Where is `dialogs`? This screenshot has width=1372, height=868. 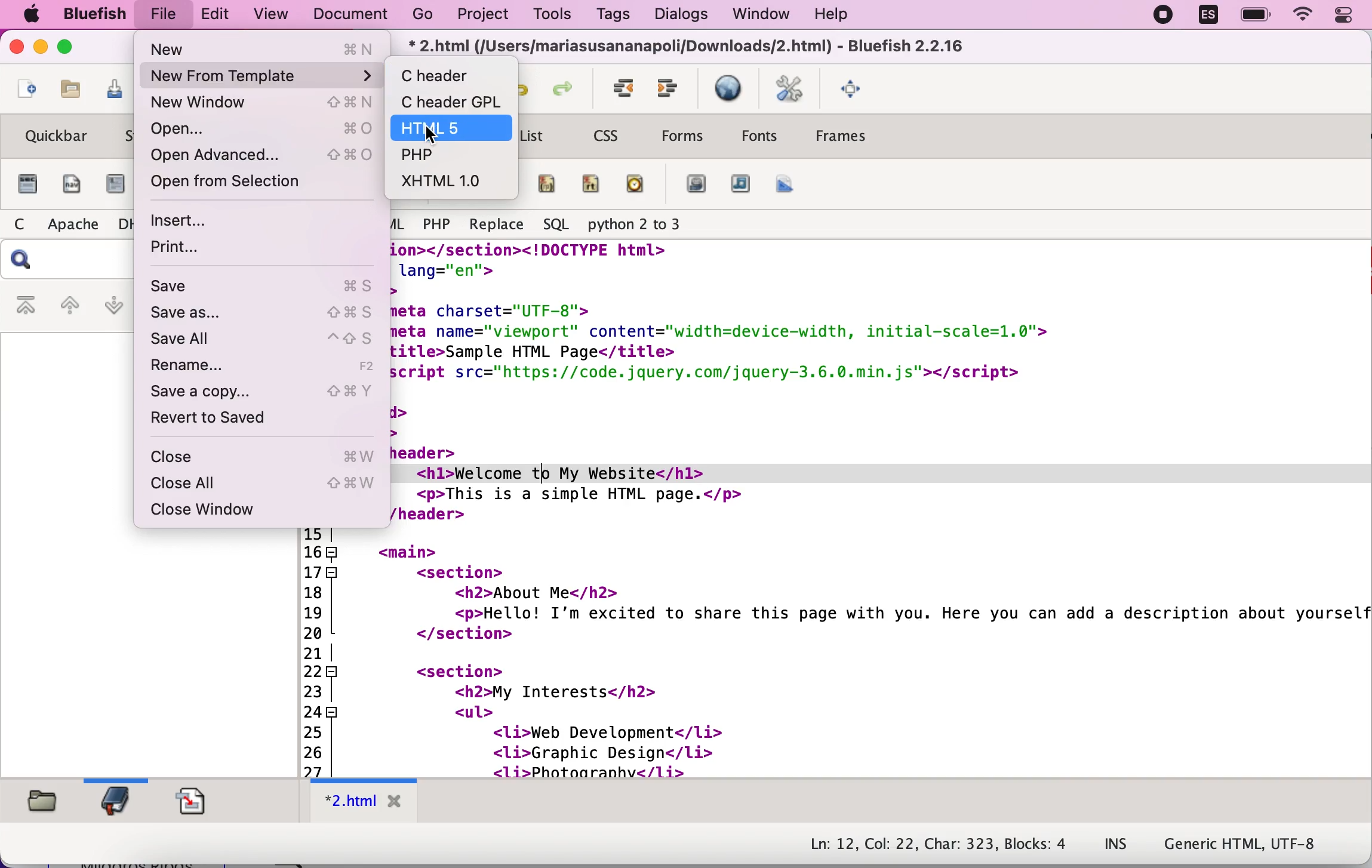
dialogs is located at coordinates (676, 16).